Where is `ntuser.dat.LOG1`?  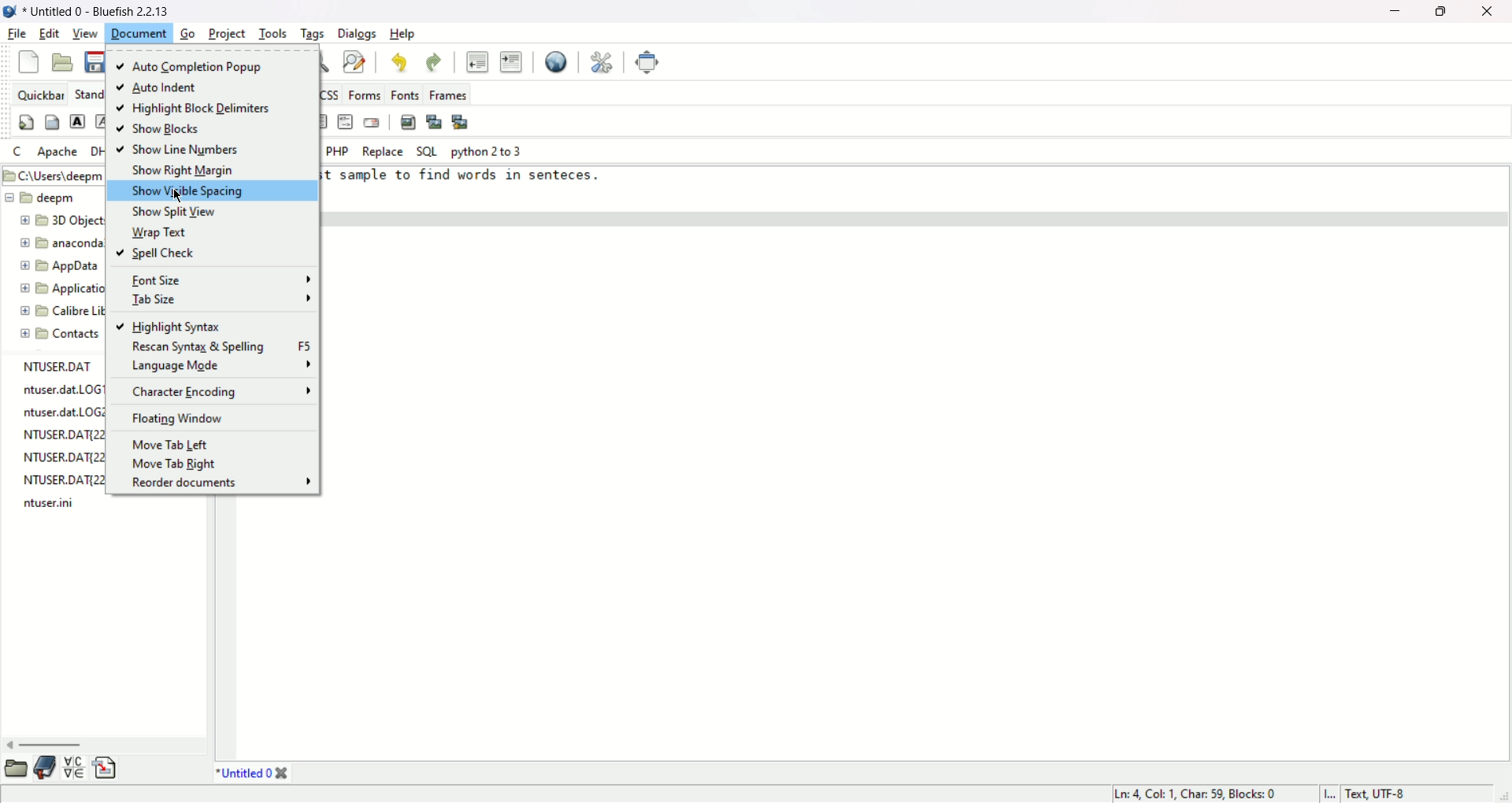
ntuser.dat.LOG1 is located at coordinates (63, 389).